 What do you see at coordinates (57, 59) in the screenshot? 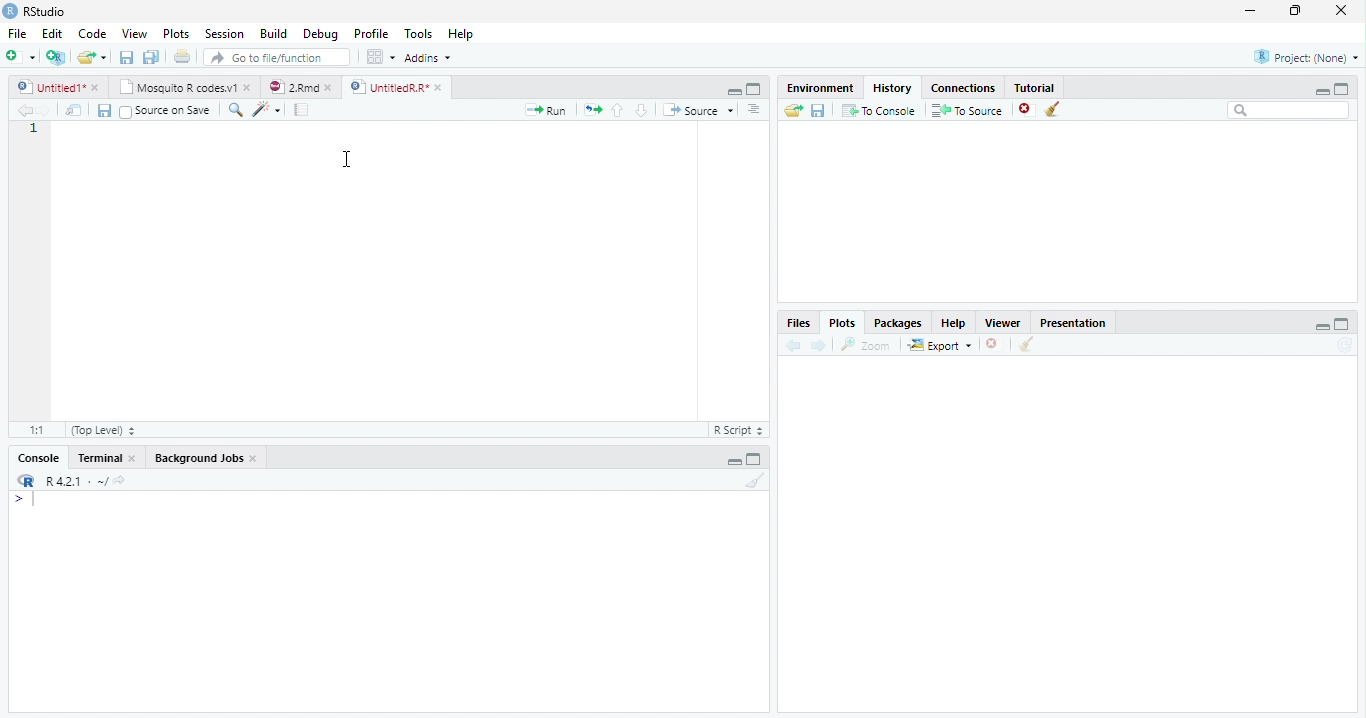
I see `Create a project` at bounding box center [57, 59].